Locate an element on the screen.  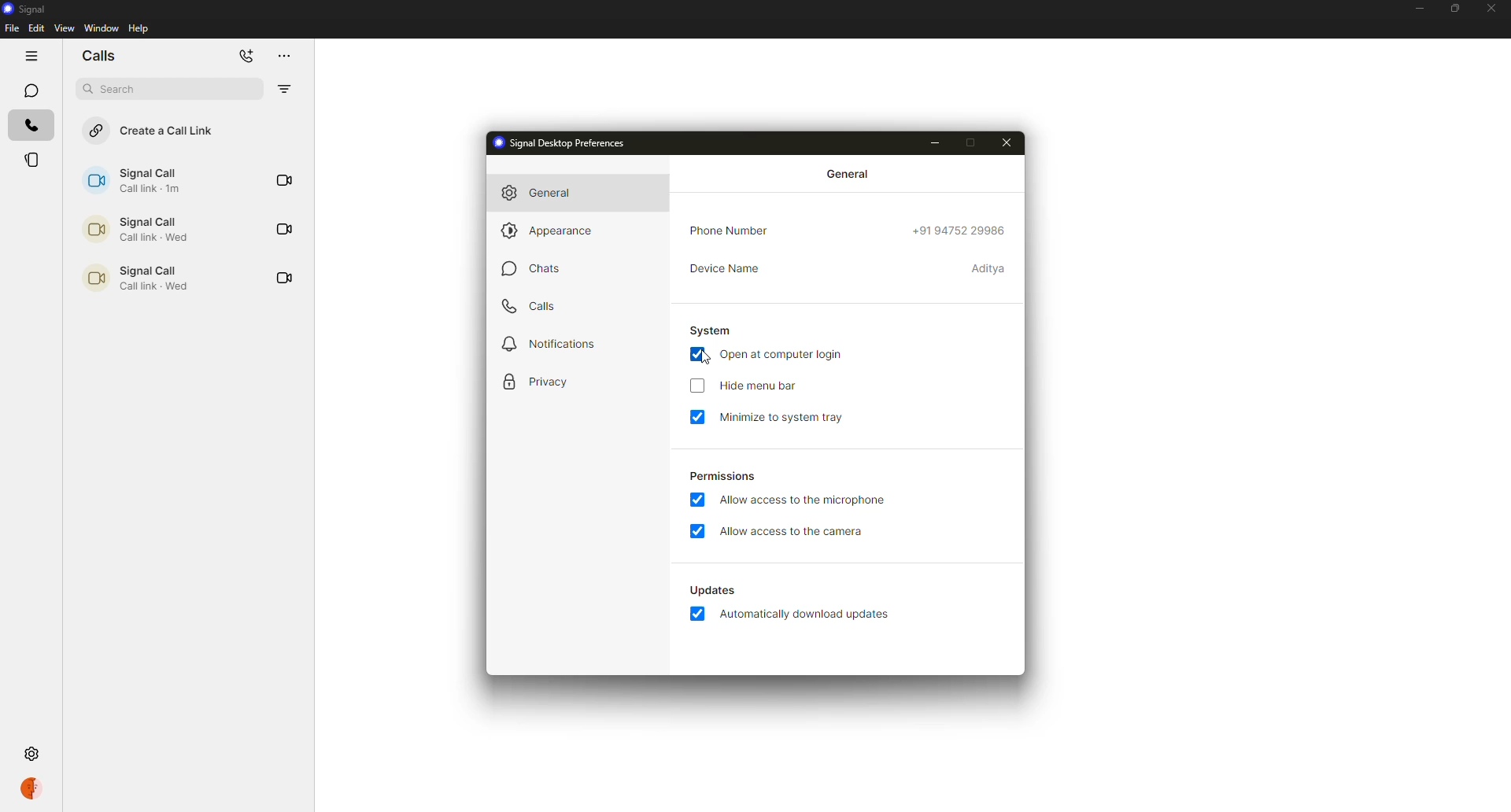
permissions is located at coordinates (721, 478).